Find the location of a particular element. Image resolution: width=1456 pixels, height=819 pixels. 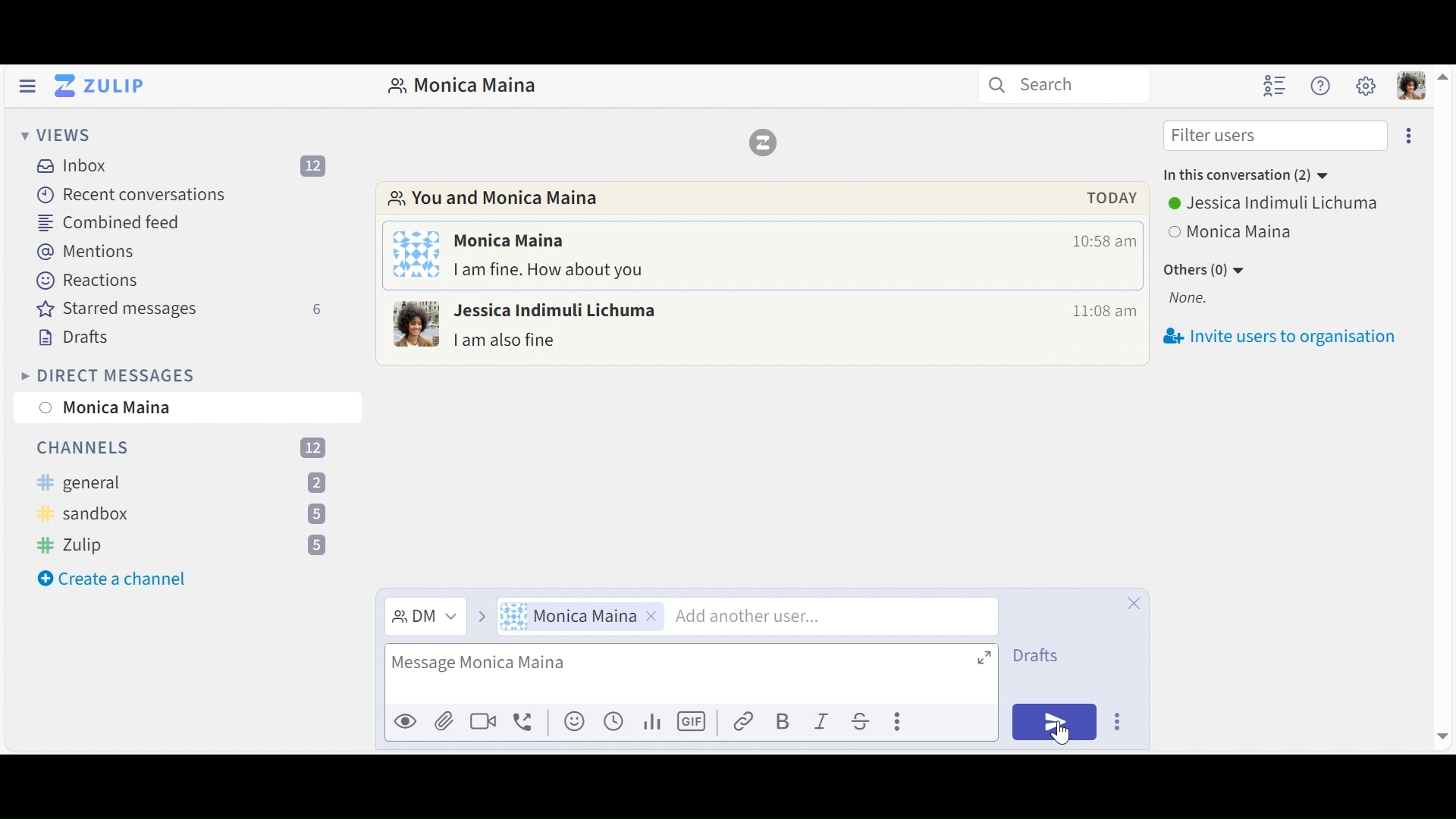

User Options is located at coordinates (1290, 180).